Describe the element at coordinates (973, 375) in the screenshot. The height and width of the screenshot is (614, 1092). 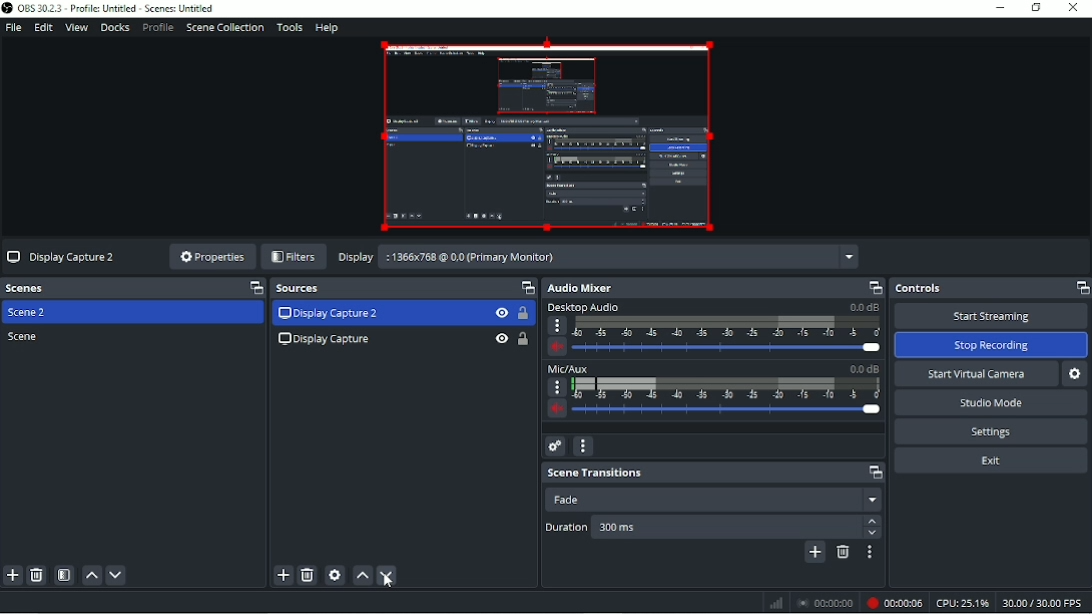
I see `Start virtual camera` at that location.